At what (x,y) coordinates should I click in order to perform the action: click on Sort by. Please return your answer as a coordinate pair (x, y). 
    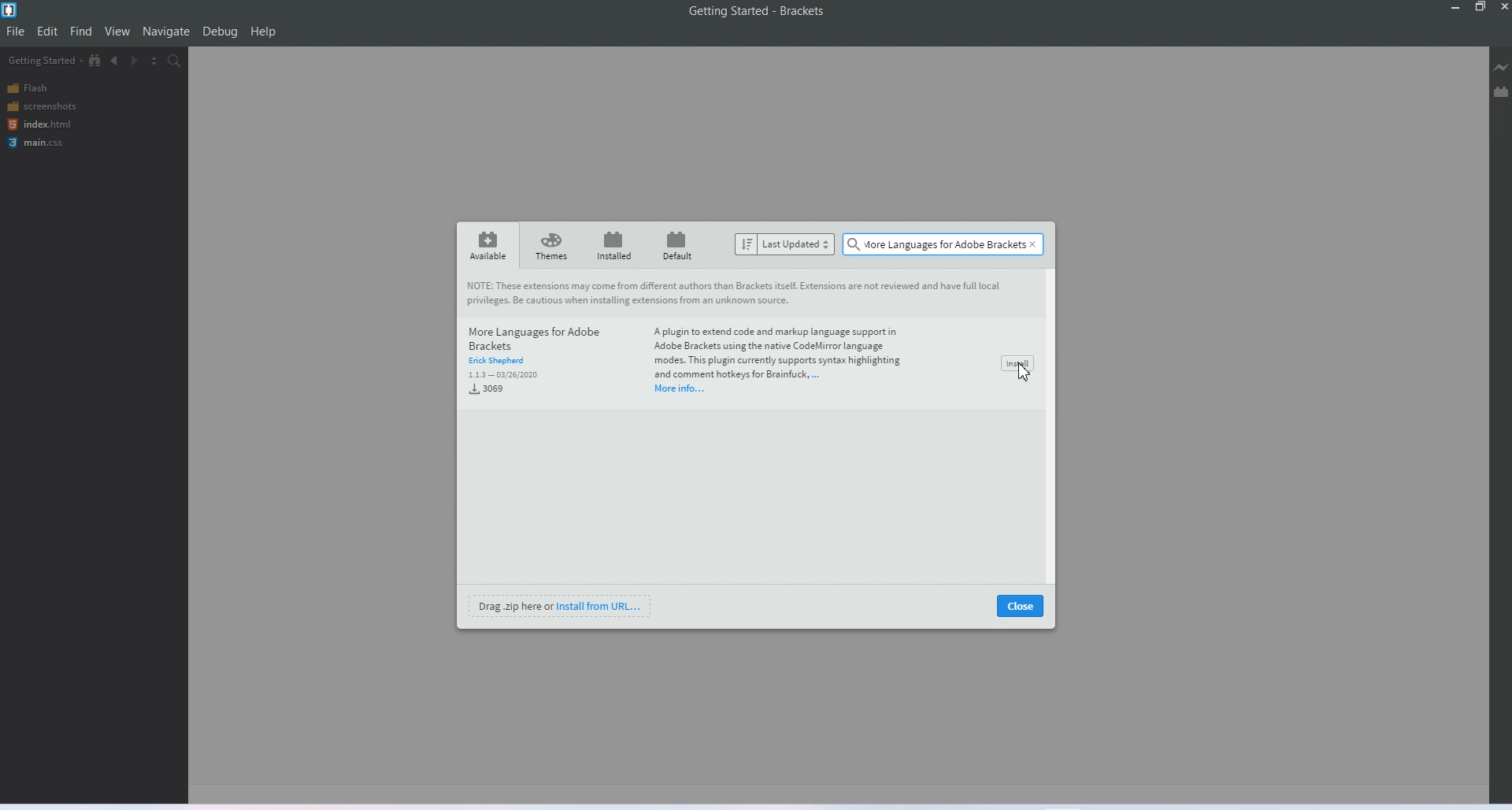
    Looking at the image, I should click on (785, 243).